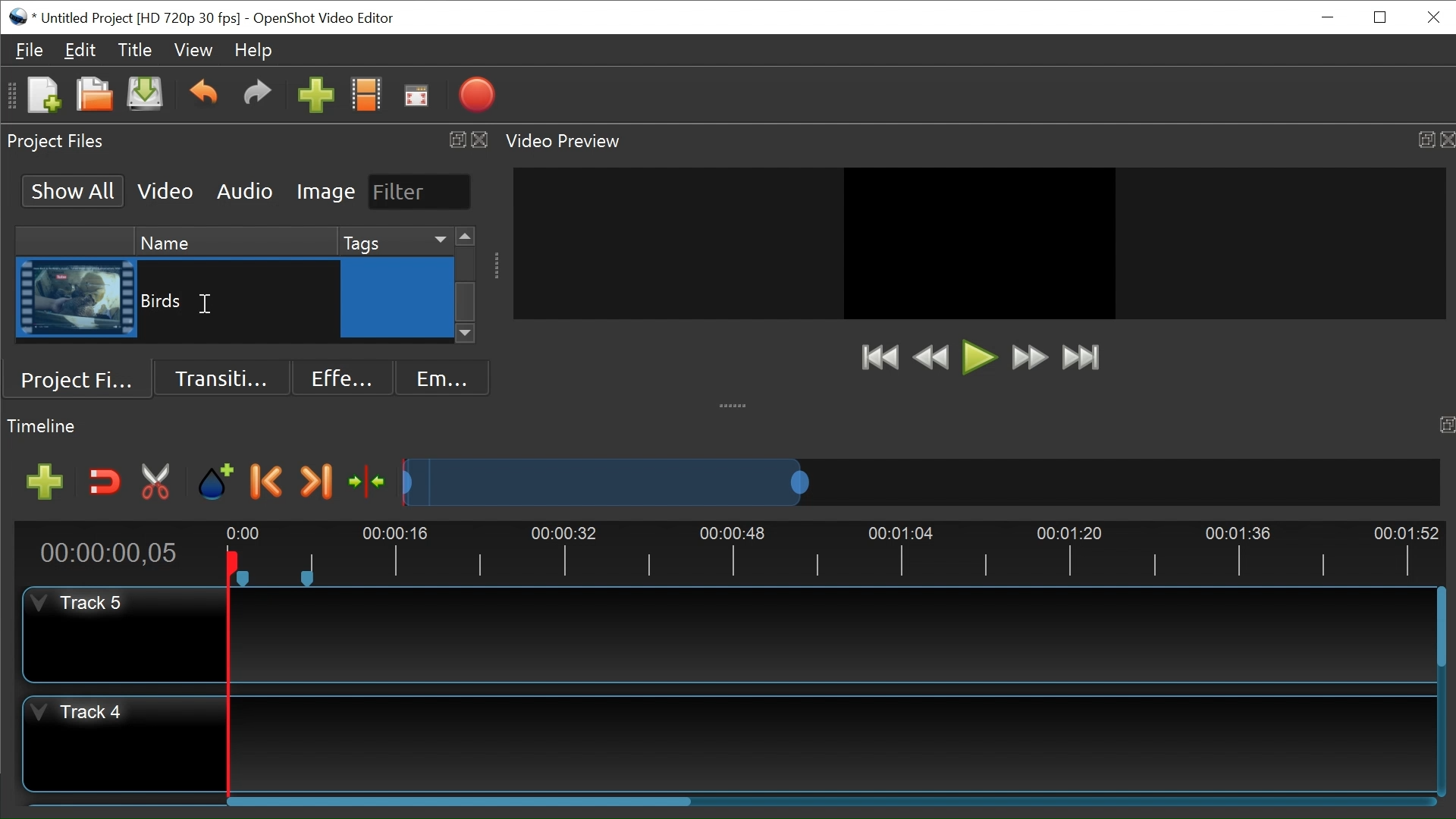  I want to click on Track Header, so click(83, 604).